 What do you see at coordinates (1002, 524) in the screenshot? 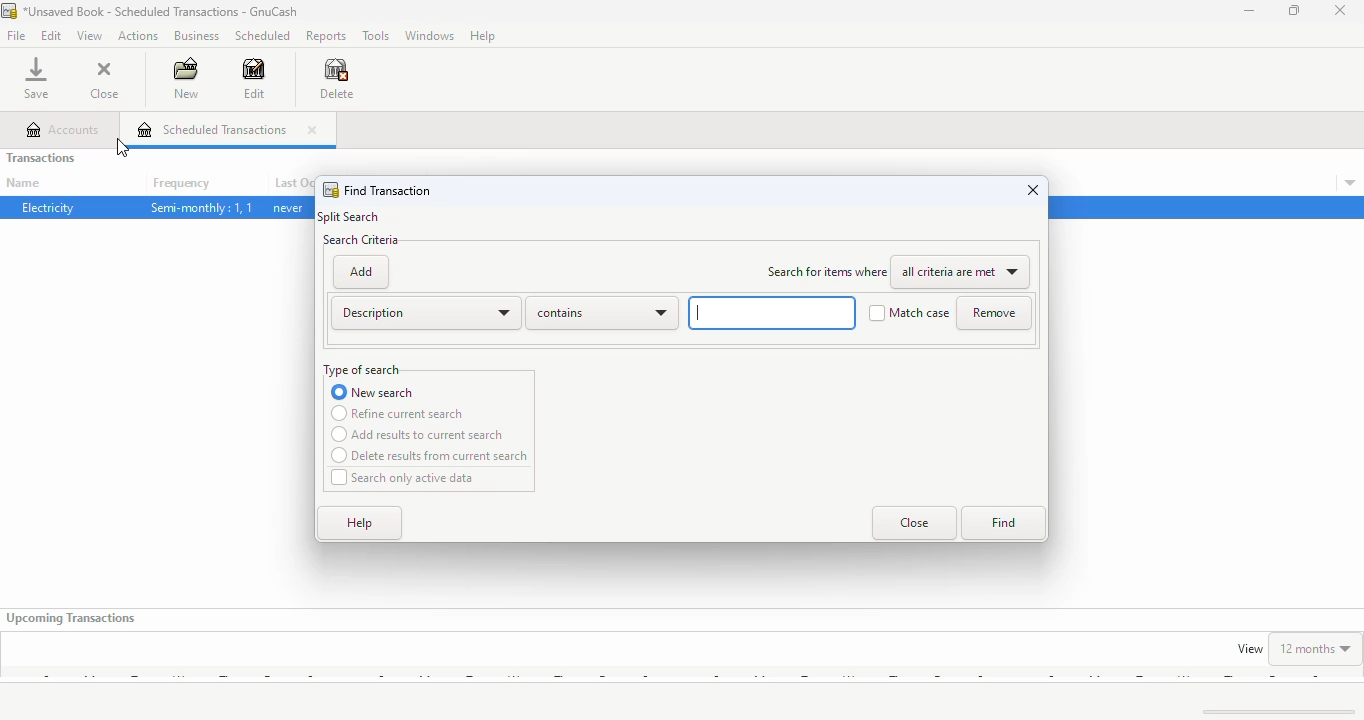
I see `find` at bounding box center [1002, 524].